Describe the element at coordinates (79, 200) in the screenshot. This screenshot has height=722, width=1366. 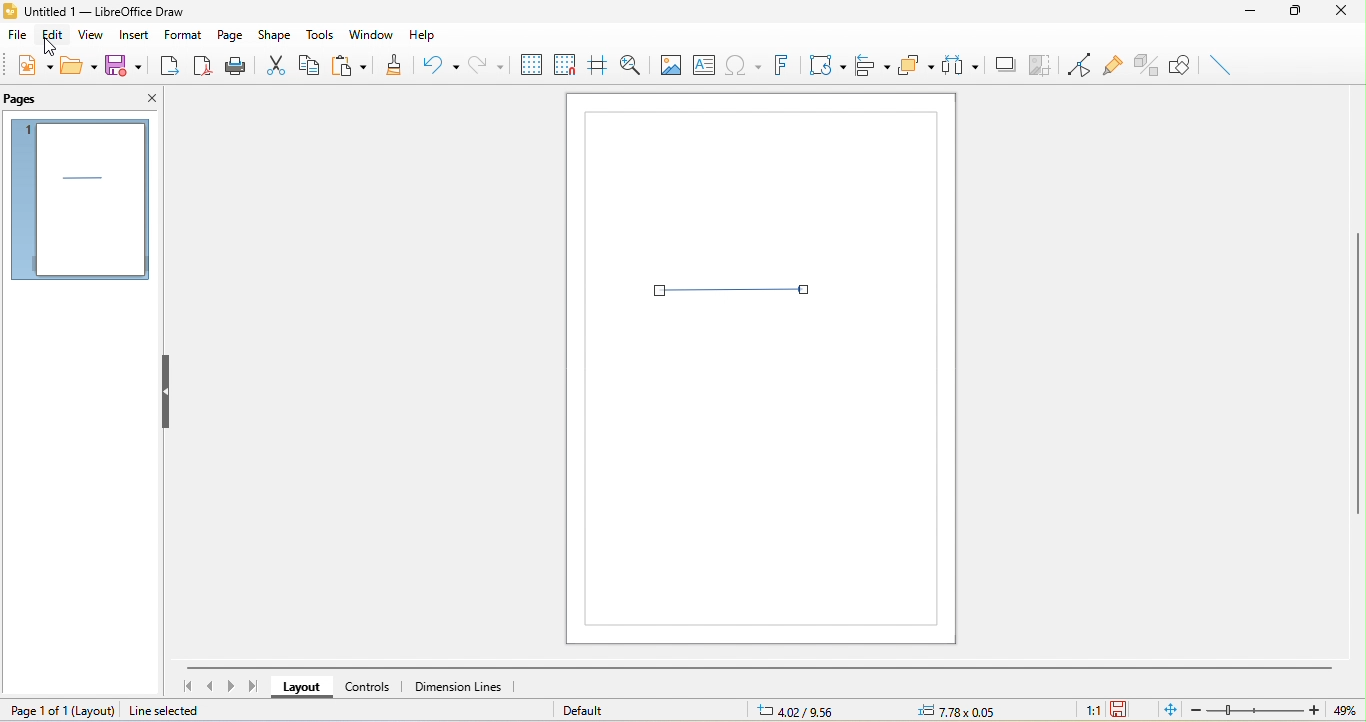
I see `pages` at that location.